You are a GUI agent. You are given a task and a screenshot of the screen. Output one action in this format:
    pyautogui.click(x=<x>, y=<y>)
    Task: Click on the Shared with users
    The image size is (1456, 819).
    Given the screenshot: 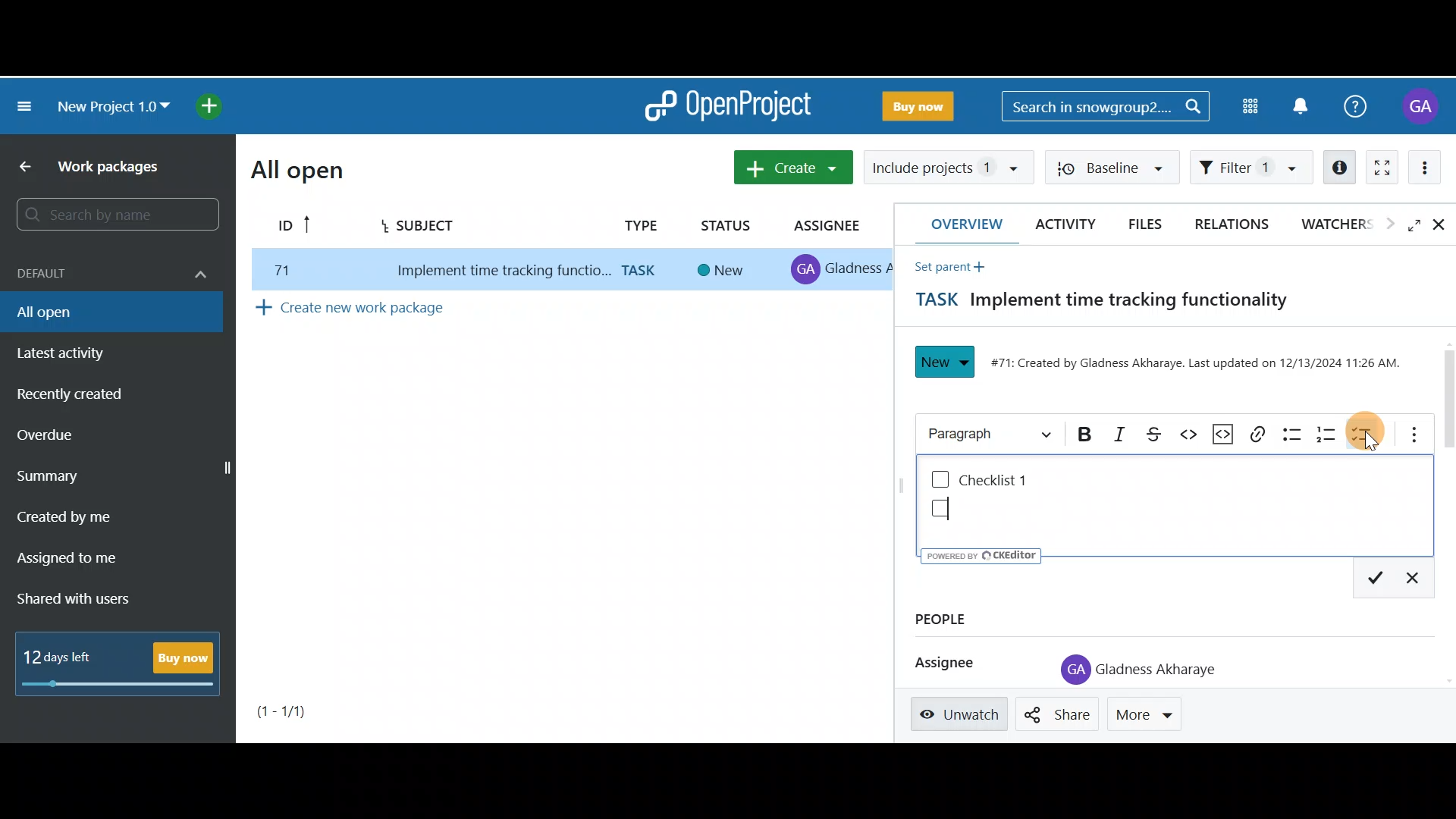 What is the action you would take?
    pyautogui.click(x=82, y=598)
    